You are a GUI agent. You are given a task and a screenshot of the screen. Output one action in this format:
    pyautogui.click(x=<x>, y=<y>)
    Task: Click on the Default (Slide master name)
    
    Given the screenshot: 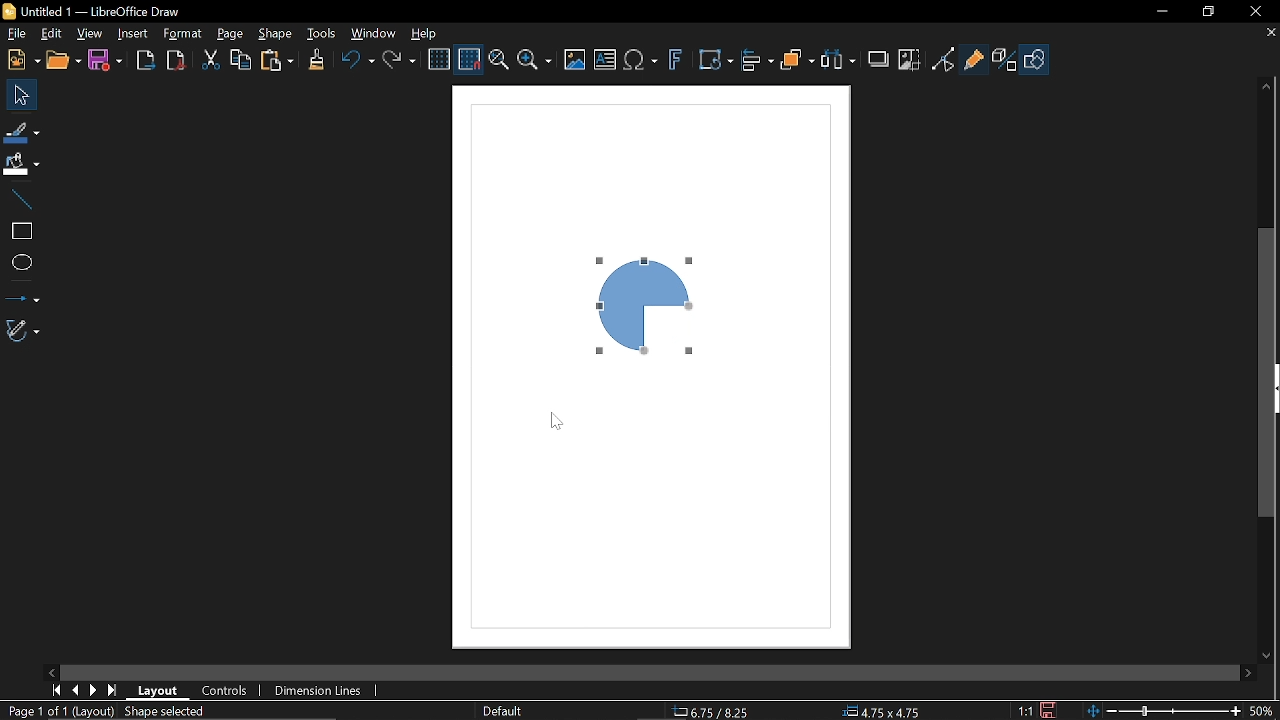 What is the action you would take?
    pyautogui.click(x=504, y=711)
    